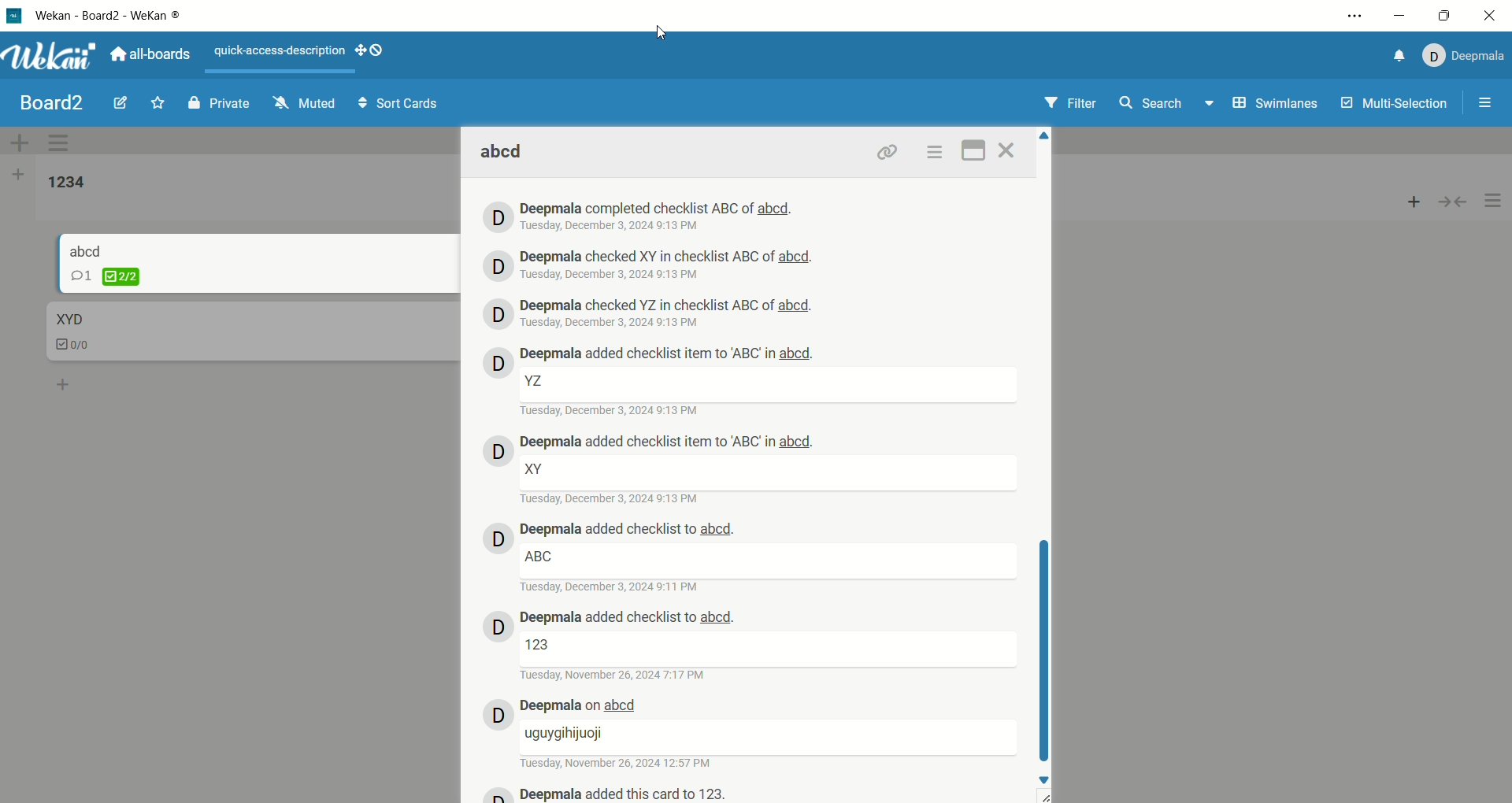  What do you see at coordinates (106, 276) in the screenshot?
I see `checklist` at bounding box center [106, 276].